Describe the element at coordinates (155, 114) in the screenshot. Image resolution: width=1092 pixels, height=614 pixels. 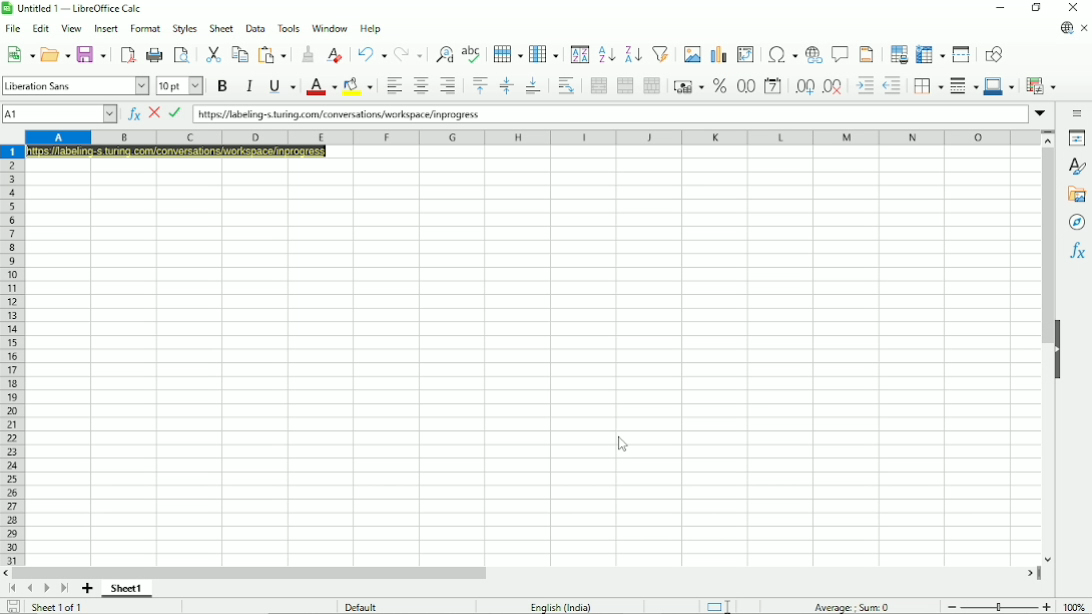
I see `Cancel` at that location.